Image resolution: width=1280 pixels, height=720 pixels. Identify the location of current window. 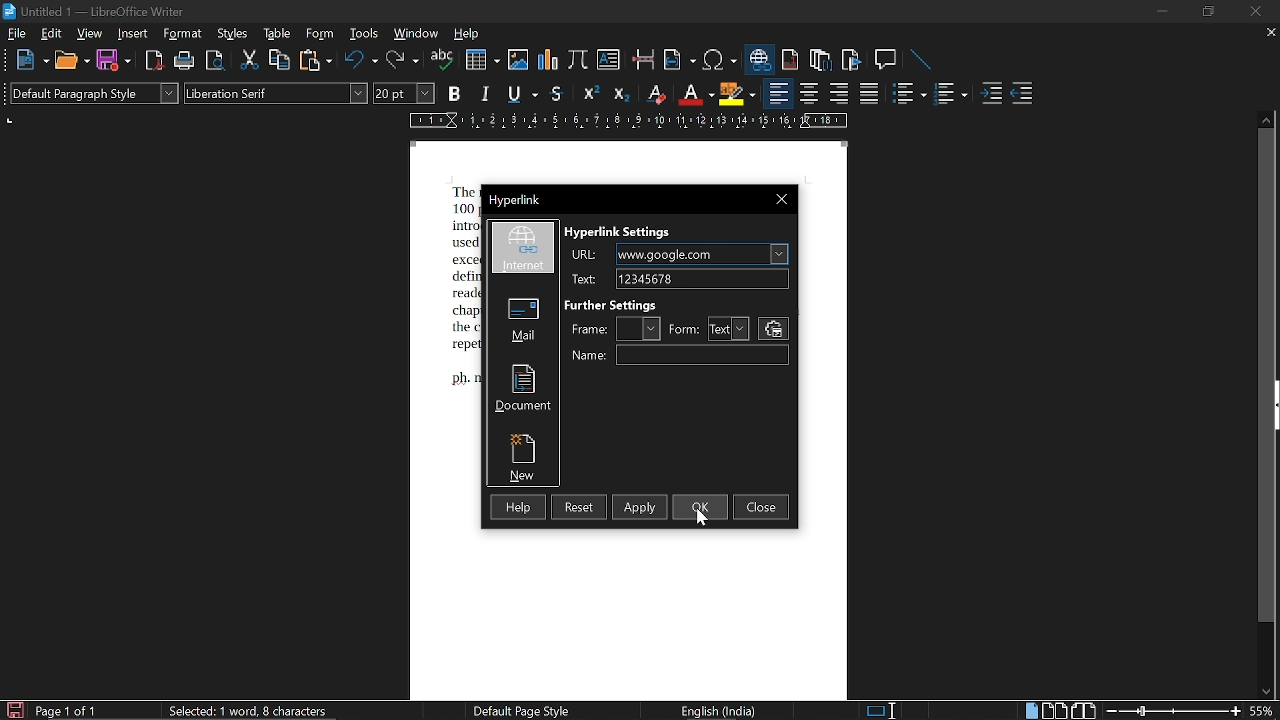
(523, 201).